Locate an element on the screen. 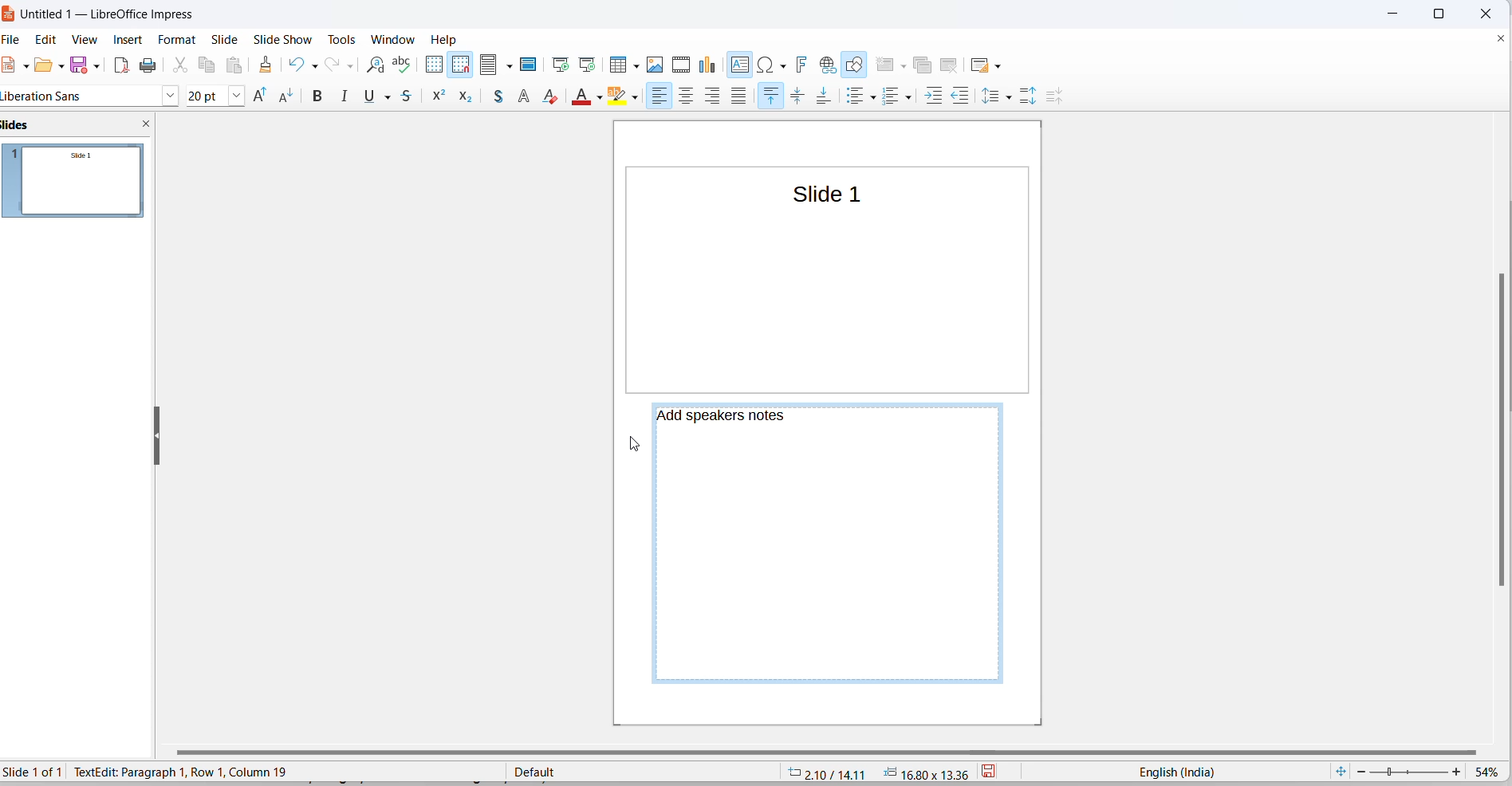  align is located at coordinates (619, 99).